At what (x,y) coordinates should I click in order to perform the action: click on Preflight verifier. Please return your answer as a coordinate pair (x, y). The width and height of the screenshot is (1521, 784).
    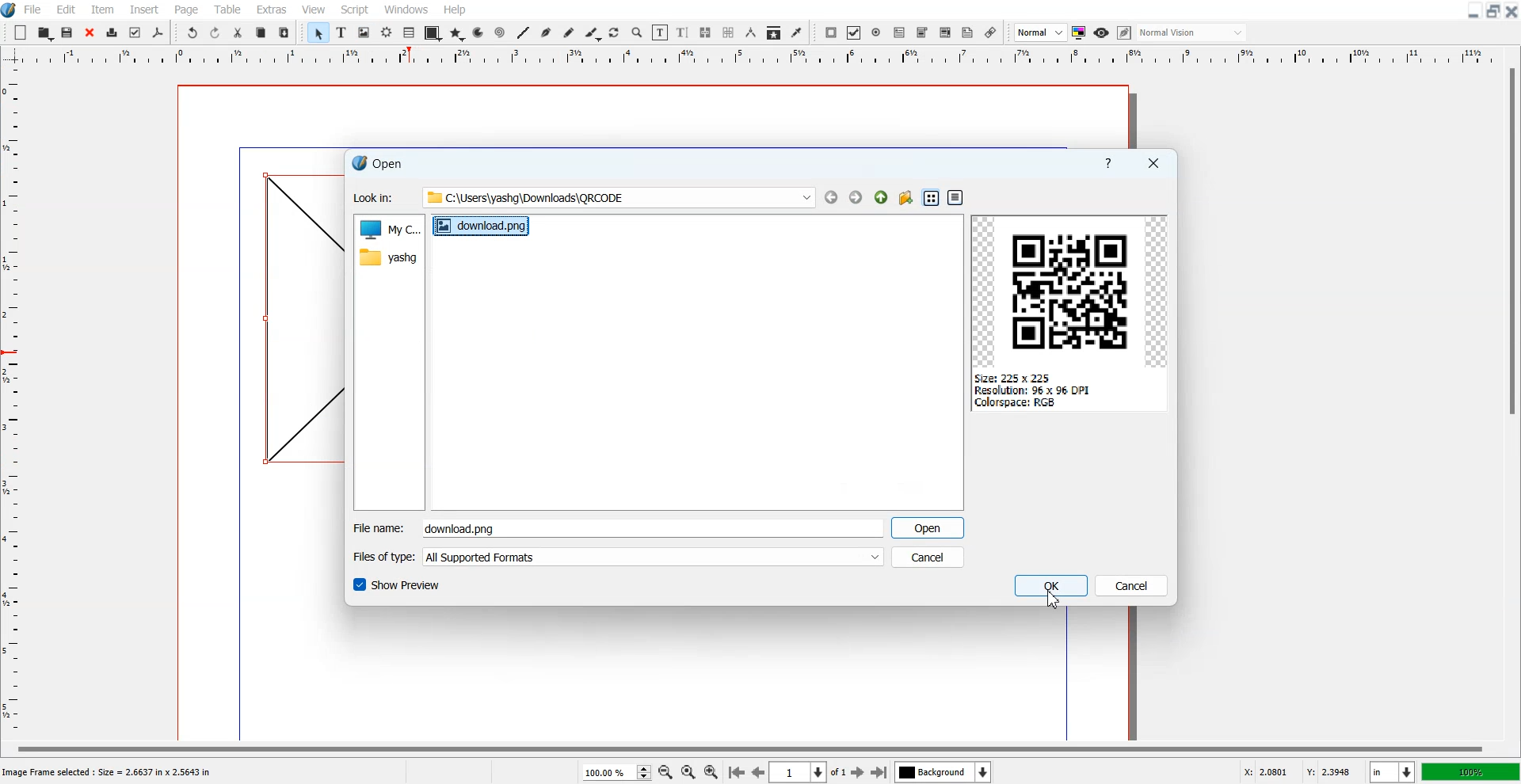
    Looking at the image, I should click on (135, 33).